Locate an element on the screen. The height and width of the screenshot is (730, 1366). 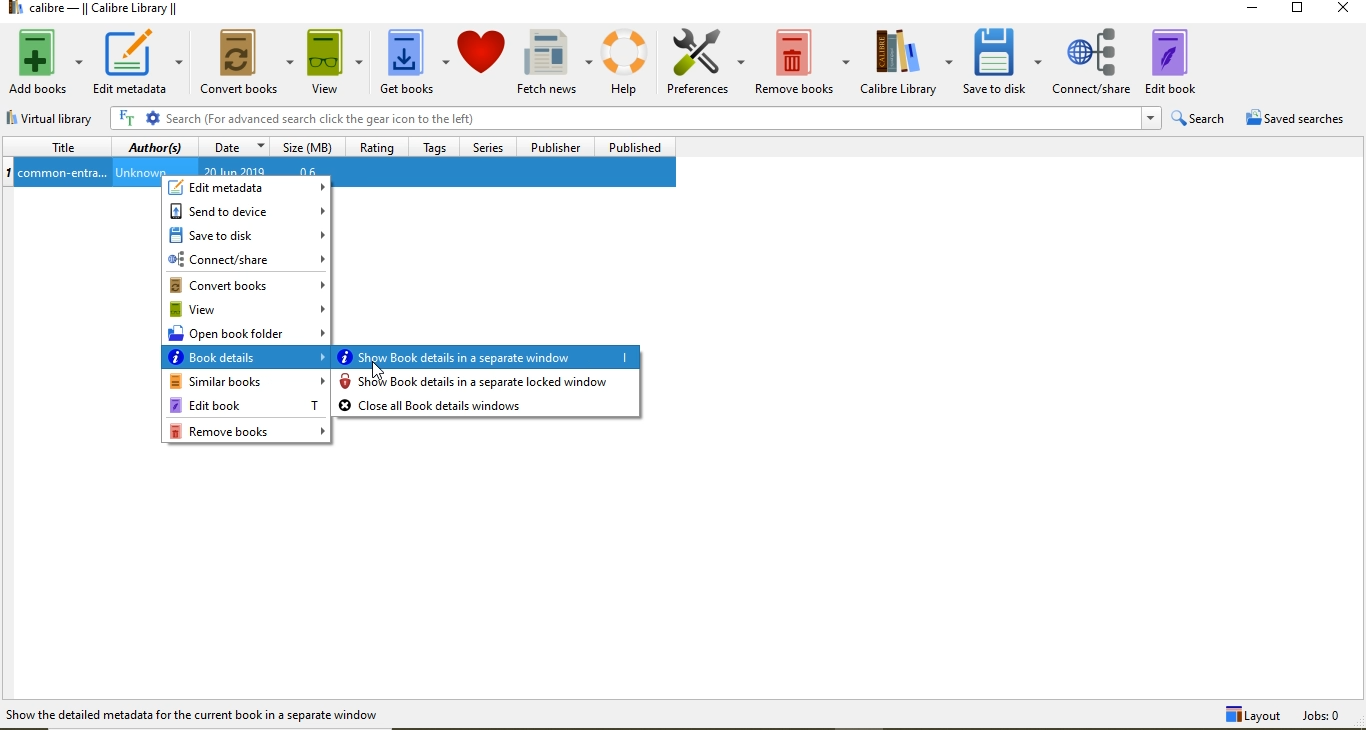
Layout is located at coordinates (1250, 716).